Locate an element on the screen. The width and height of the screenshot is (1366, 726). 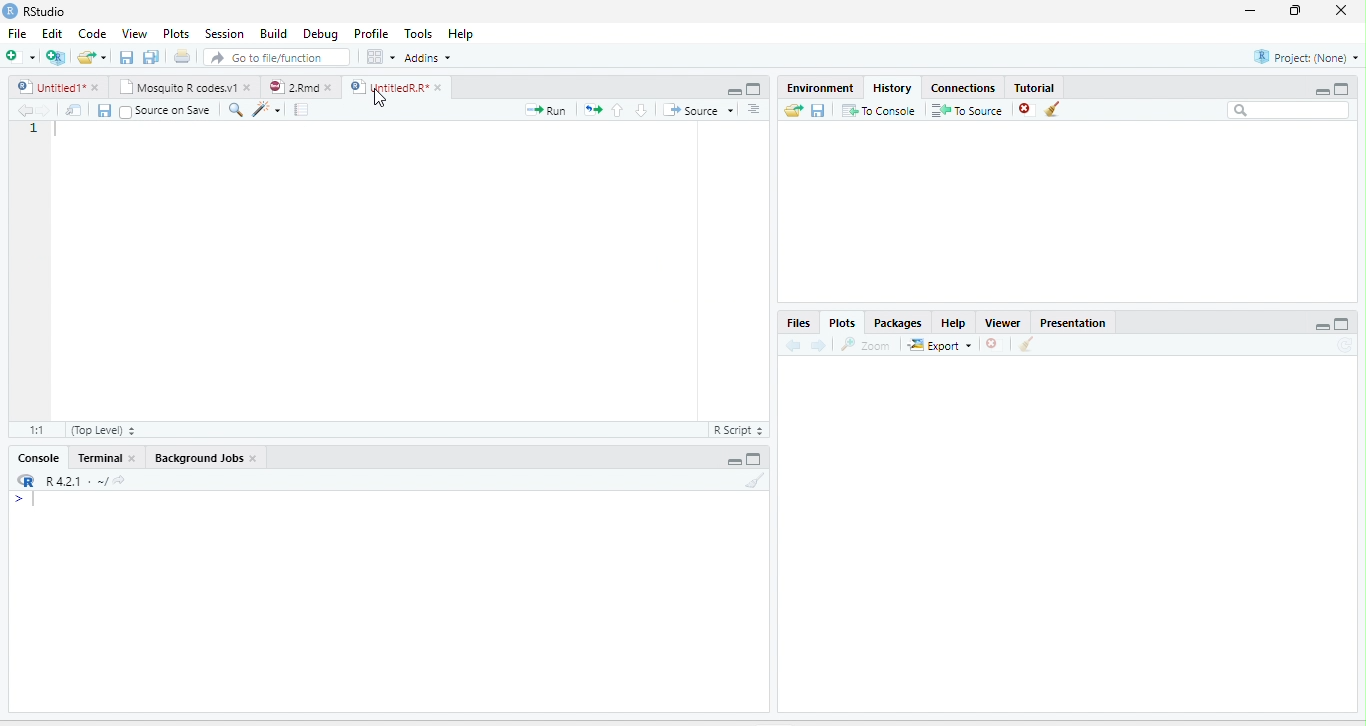
Go to previous section/chunk is located at coordinates (617, 109).